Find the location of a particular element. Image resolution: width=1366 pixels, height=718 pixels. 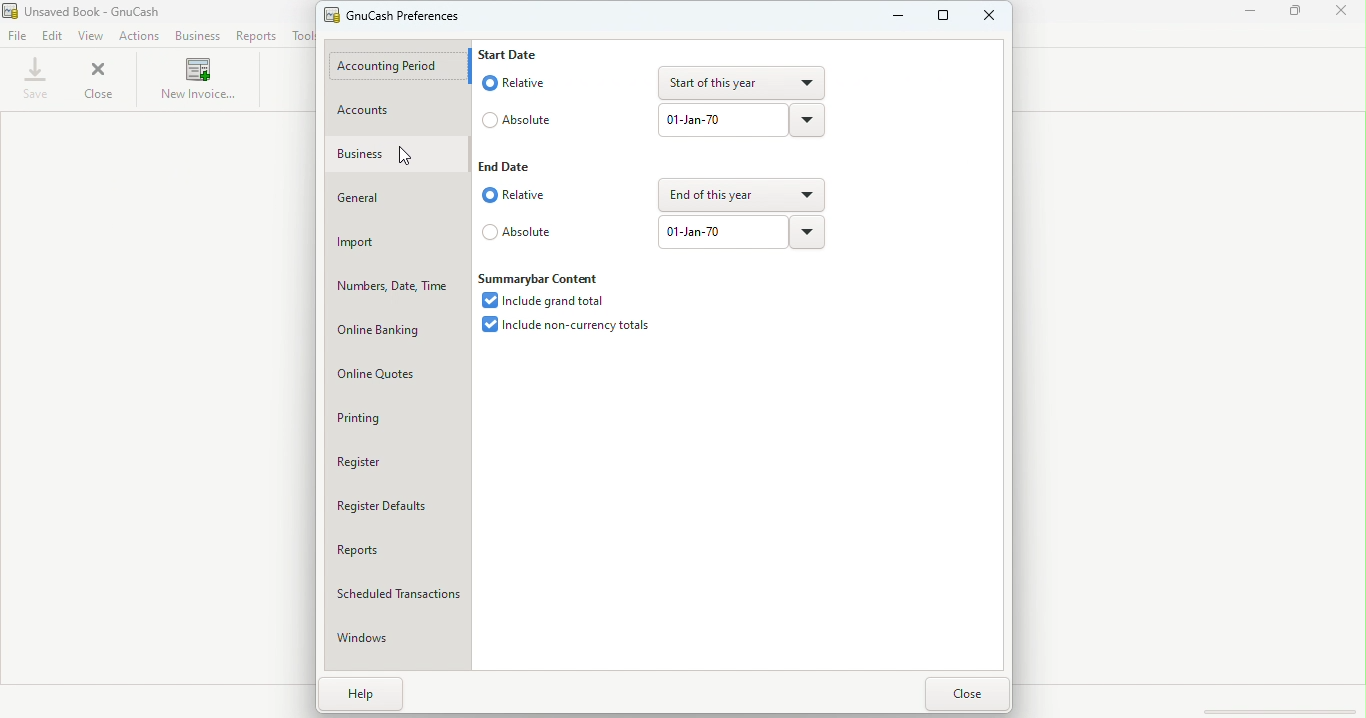

End date is located at coordinates (507, 165).